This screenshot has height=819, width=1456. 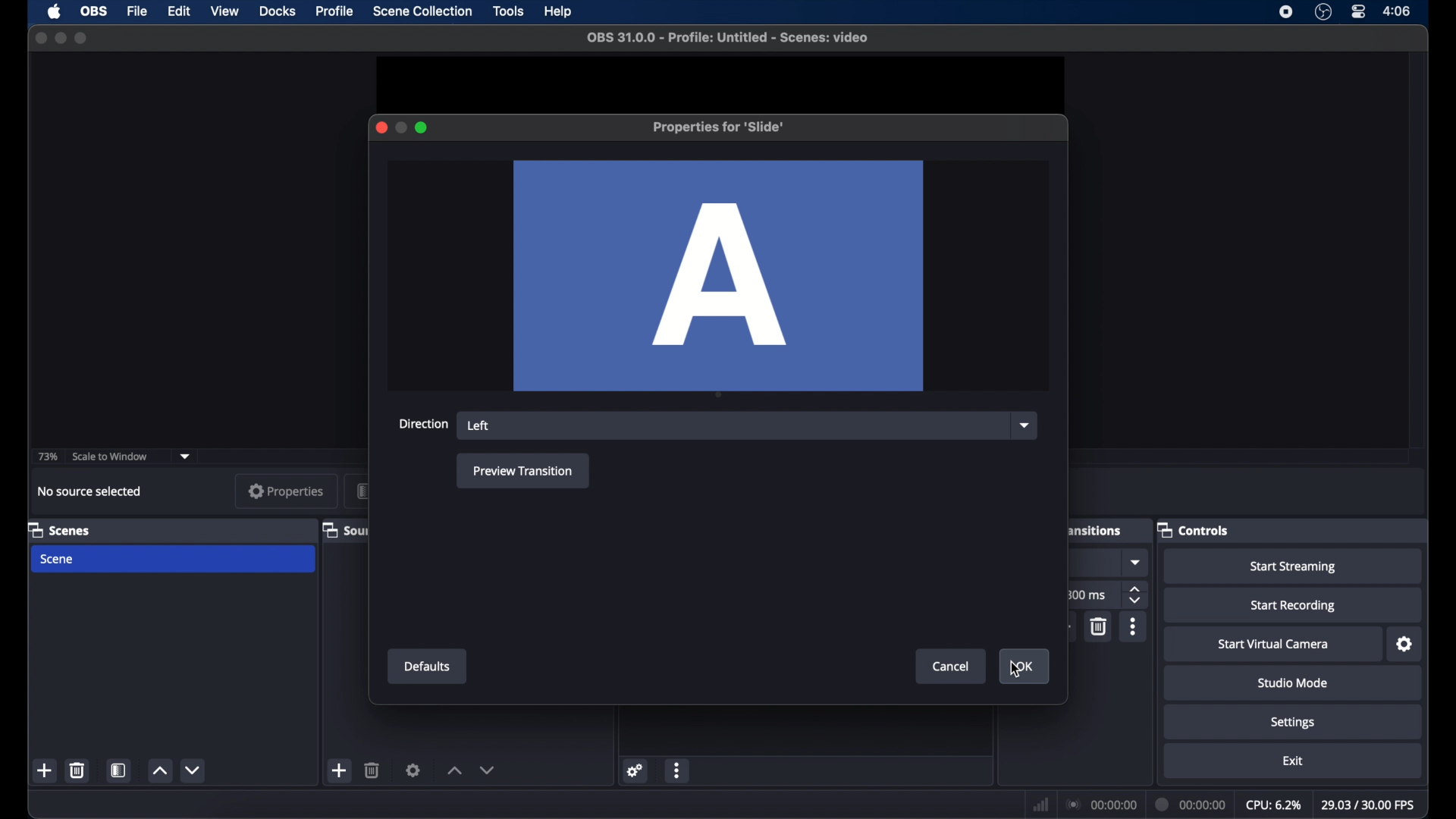 I want to click on file, so click(x=137, y=11).